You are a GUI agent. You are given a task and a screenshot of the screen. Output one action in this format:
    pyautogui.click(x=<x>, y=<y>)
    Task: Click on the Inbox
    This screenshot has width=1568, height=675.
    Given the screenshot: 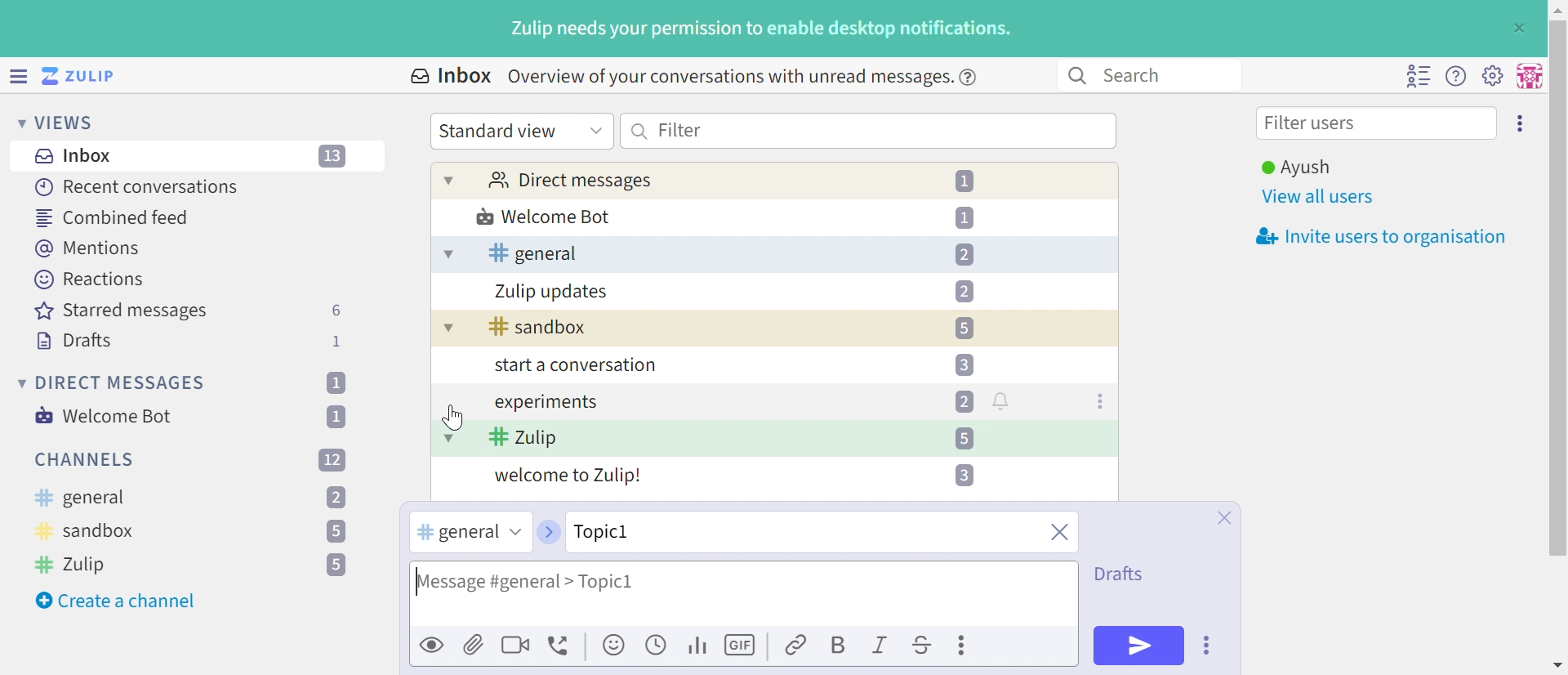 What is the action you would take?
    pyautogui.click(x=78, y=156)
    